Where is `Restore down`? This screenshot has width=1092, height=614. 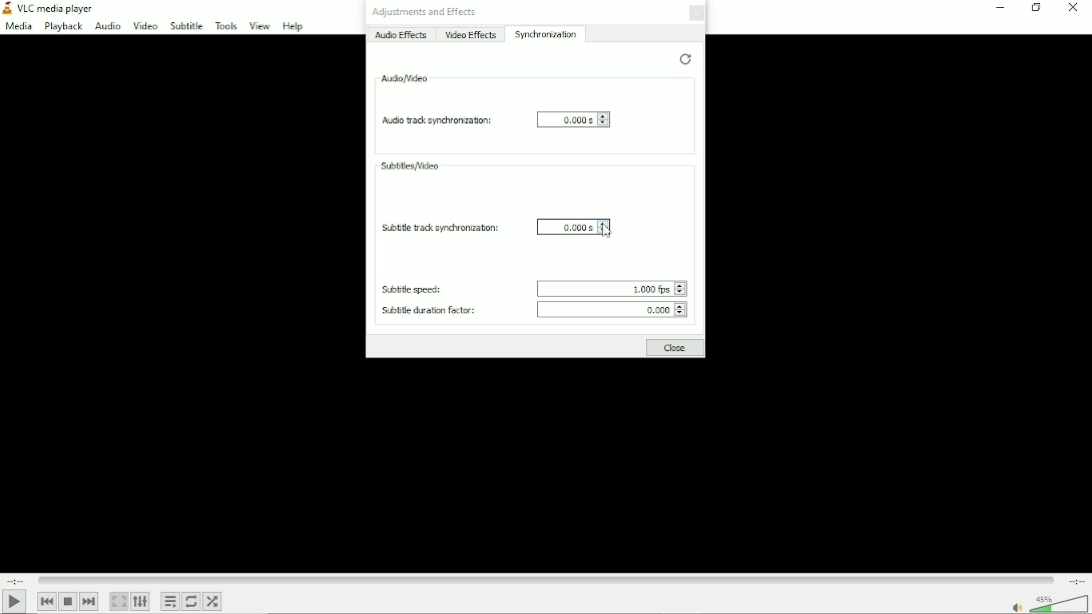
Restore down is located at coordinates (1035, 8).